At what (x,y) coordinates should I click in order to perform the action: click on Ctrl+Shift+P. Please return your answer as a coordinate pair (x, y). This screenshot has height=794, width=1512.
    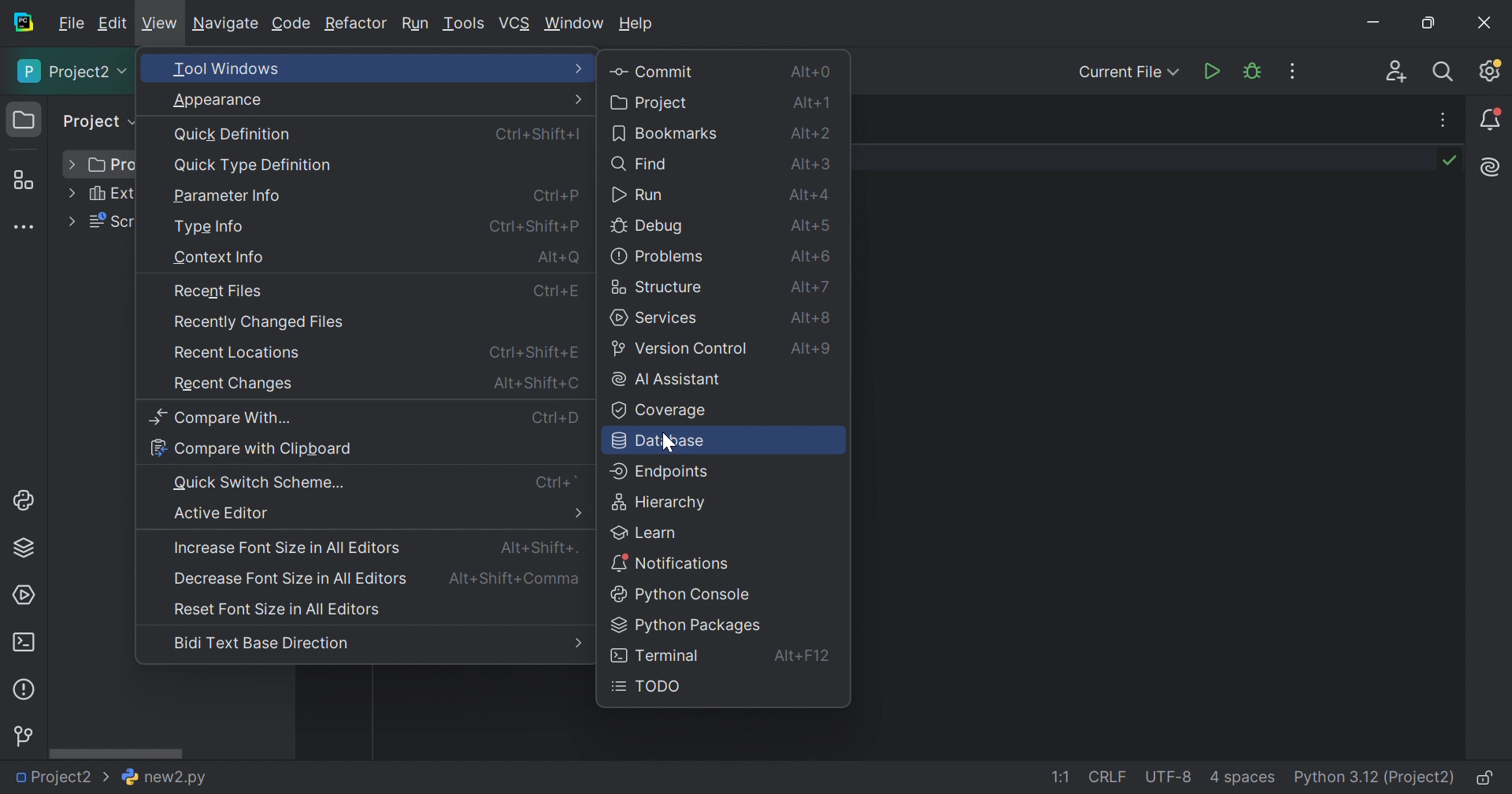
    Looking at the image, I should click on (532, 228).